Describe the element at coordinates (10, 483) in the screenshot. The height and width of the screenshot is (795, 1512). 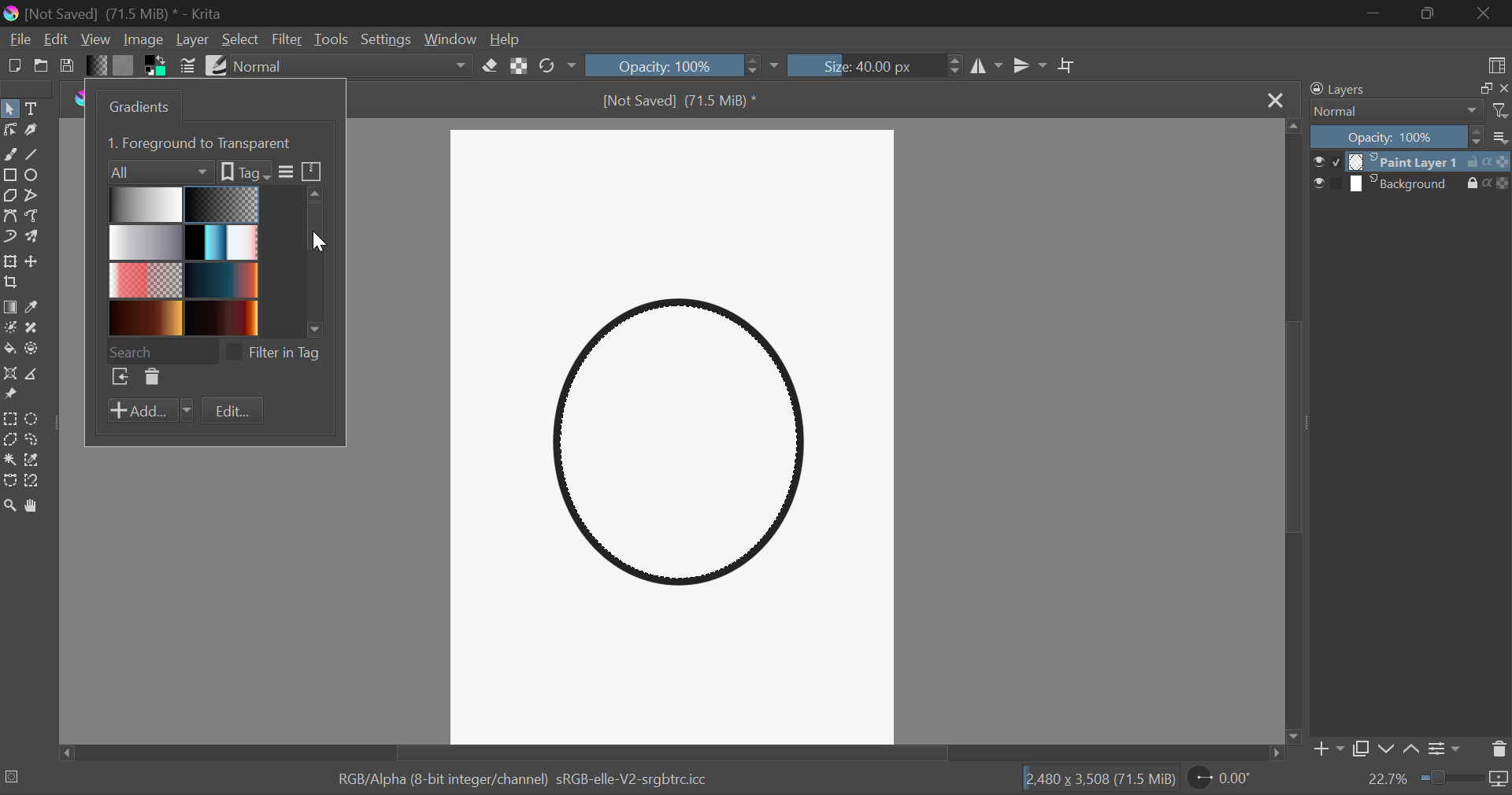
I see `Bezier Curve Selection` at that location.